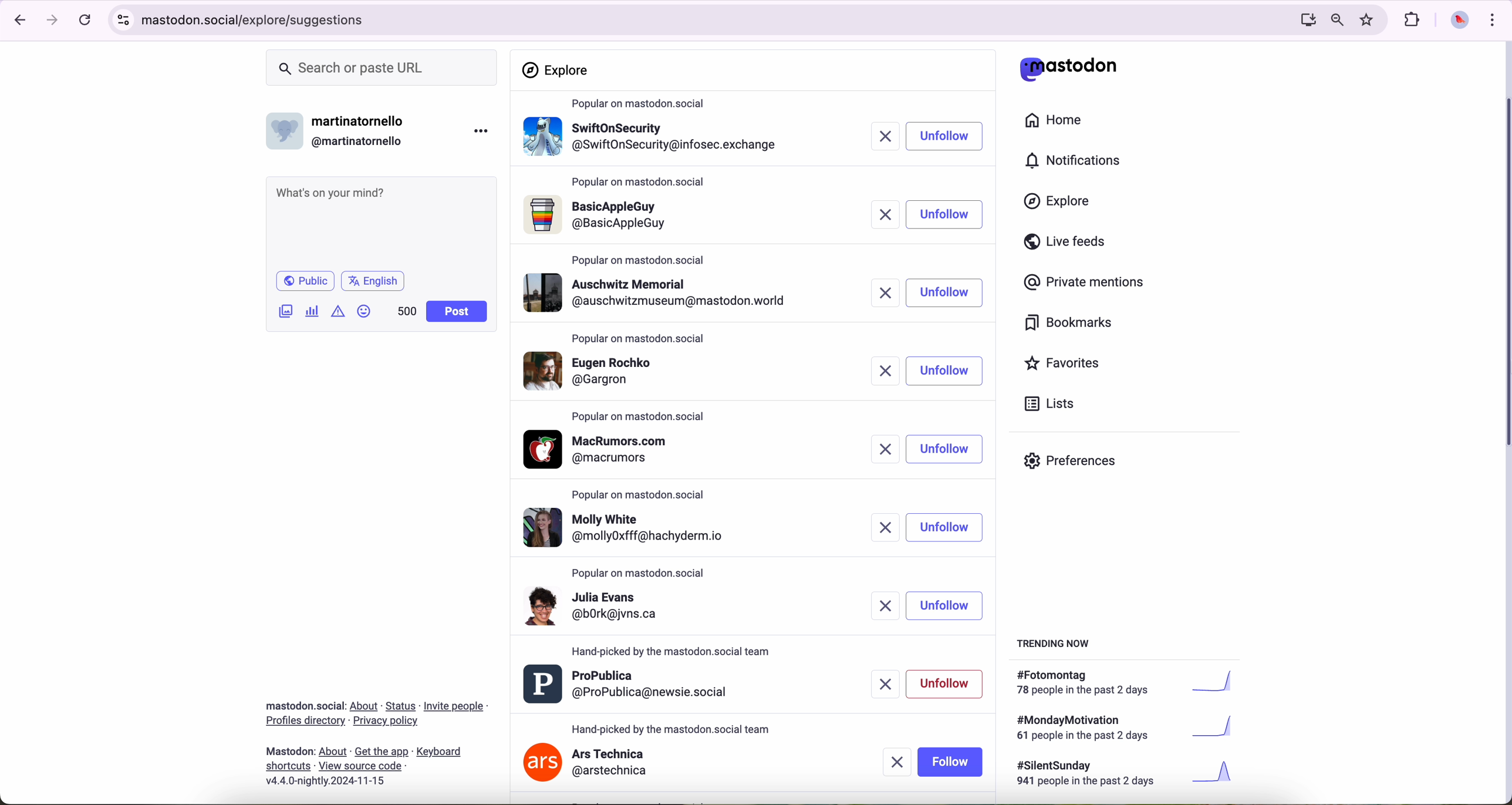 This screenshot has width=1512, height=805. I want to click on popular on mastodon.social, so click(643, 415).